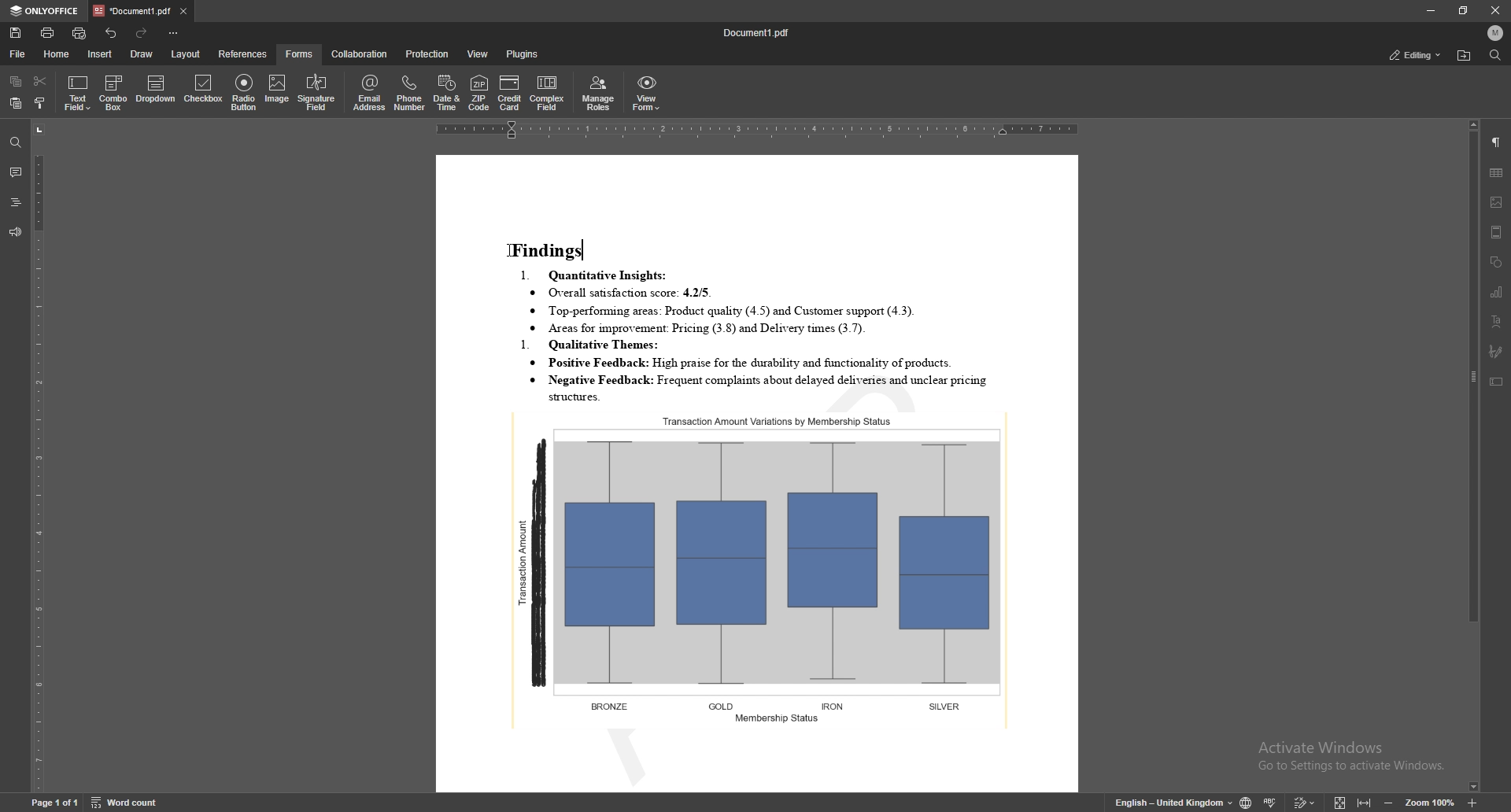 This screenshot has width=1511, height=812. What do you see at coordinates (1471, 456) in the screenshot?
I see `scroll bar` at bounding box center [1471, 456].